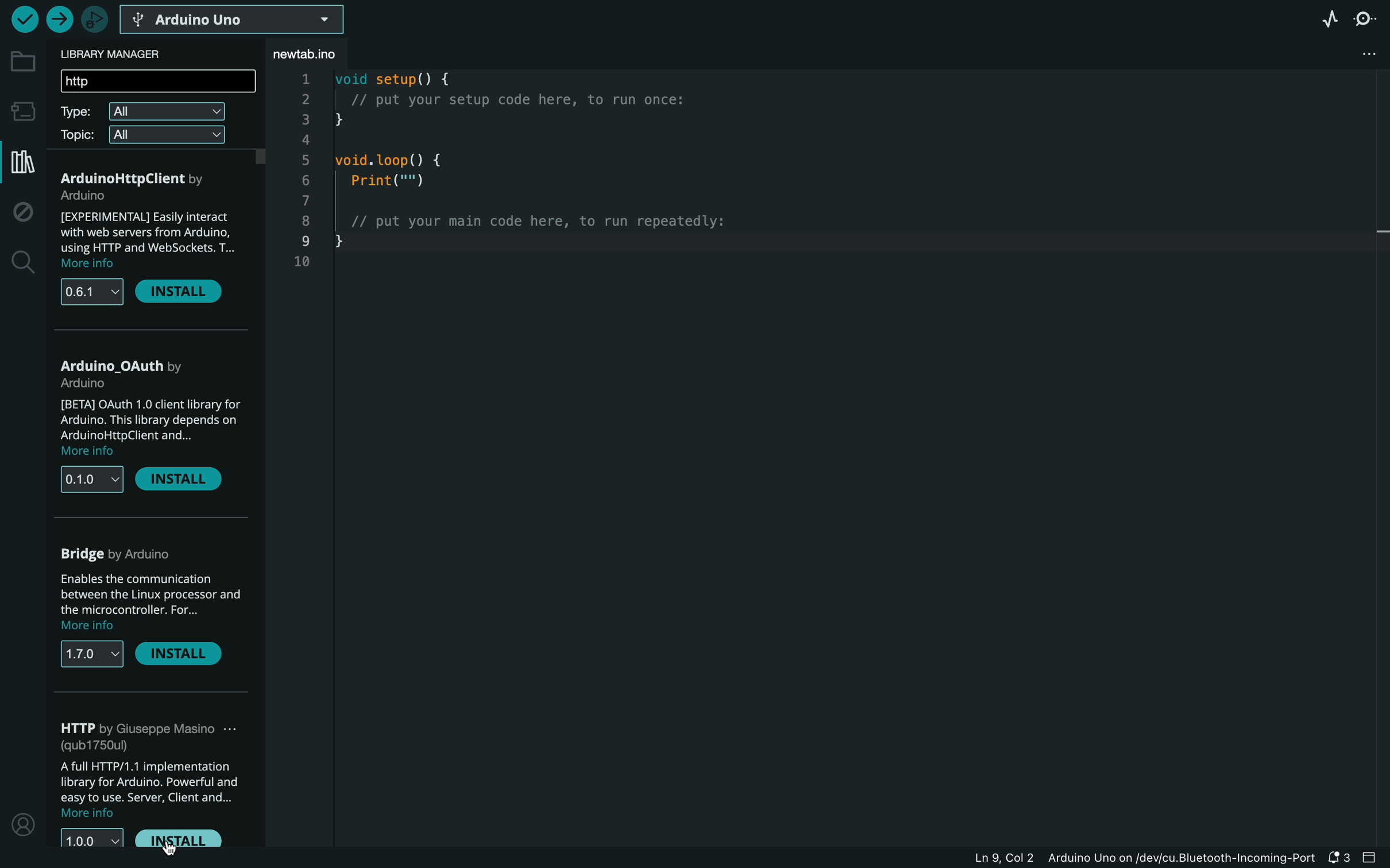 Image resolution: width=1390 pixels, height=868 pixels. What do you see at coordinates (20, 162) in the screenshot?
I see `library manager` at bounding box center [20, 162].